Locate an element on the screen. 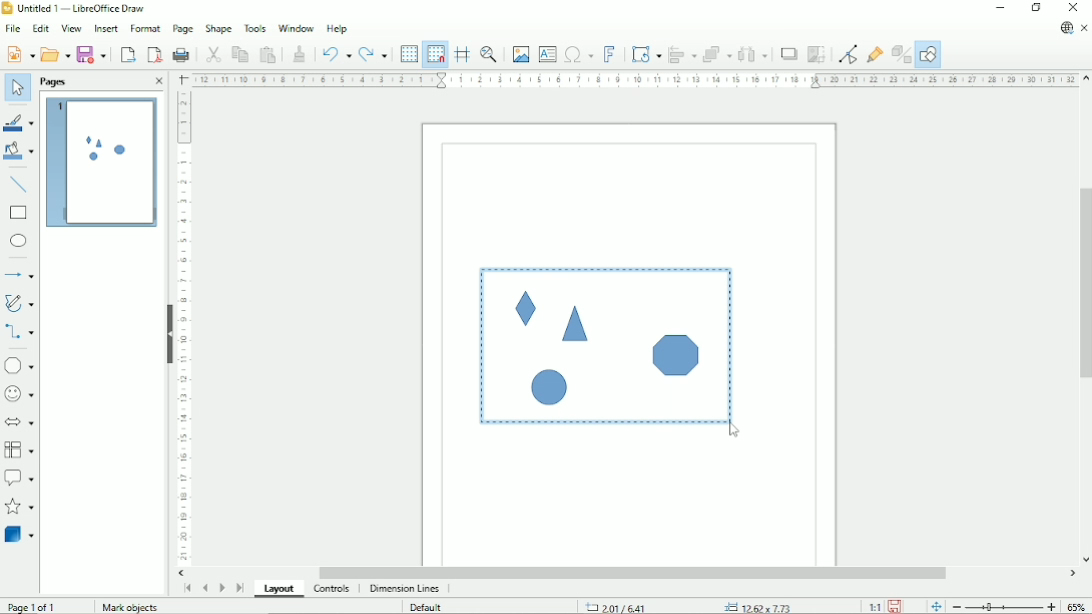 The height and width of the screenshot is (614, 1092). insert fontwork text is located at coordinates (610, 54).